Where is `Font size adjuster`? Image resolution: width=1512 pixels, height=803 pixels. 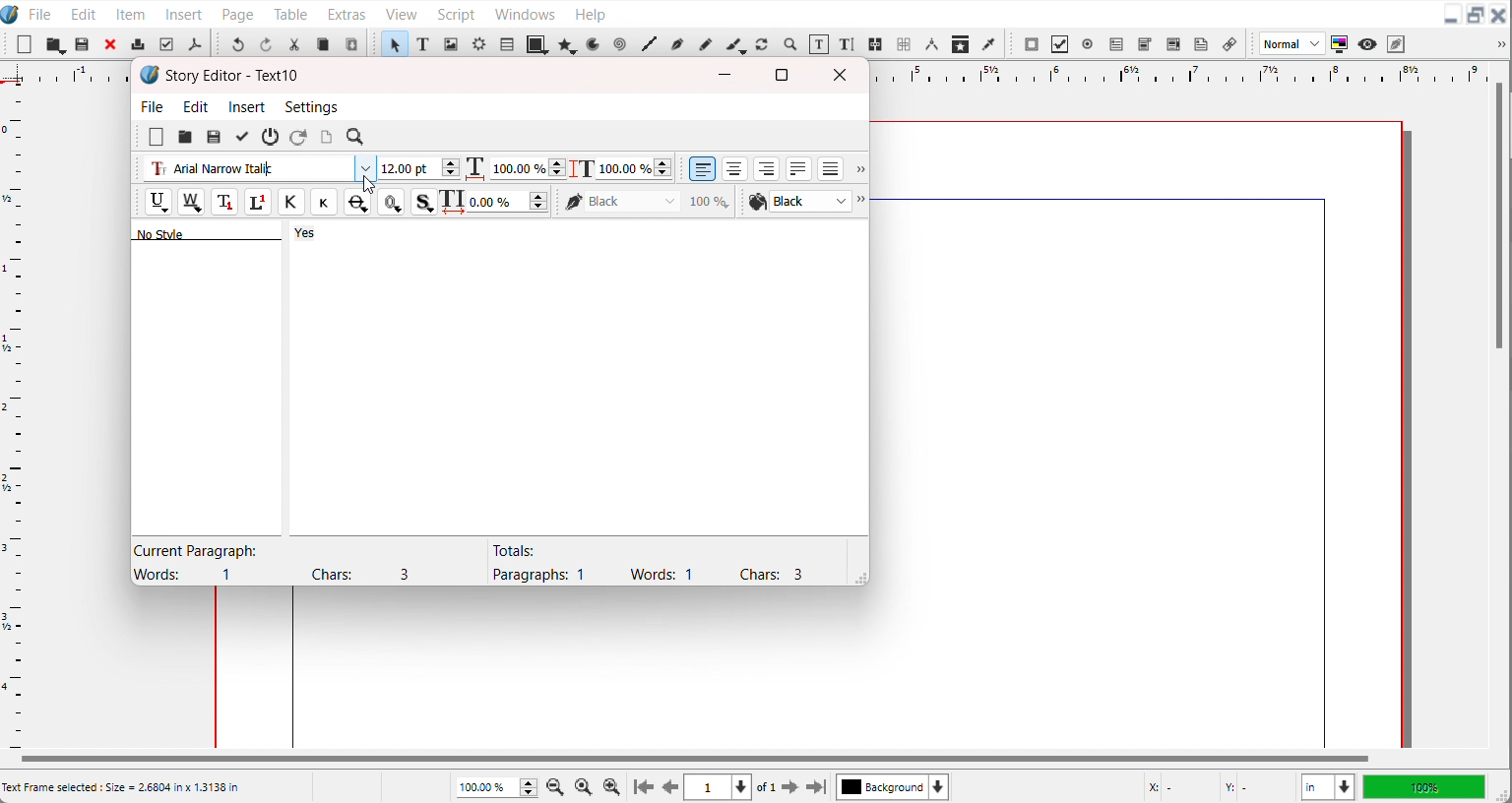 Font size adjuster is located at coordinates (418, 168).